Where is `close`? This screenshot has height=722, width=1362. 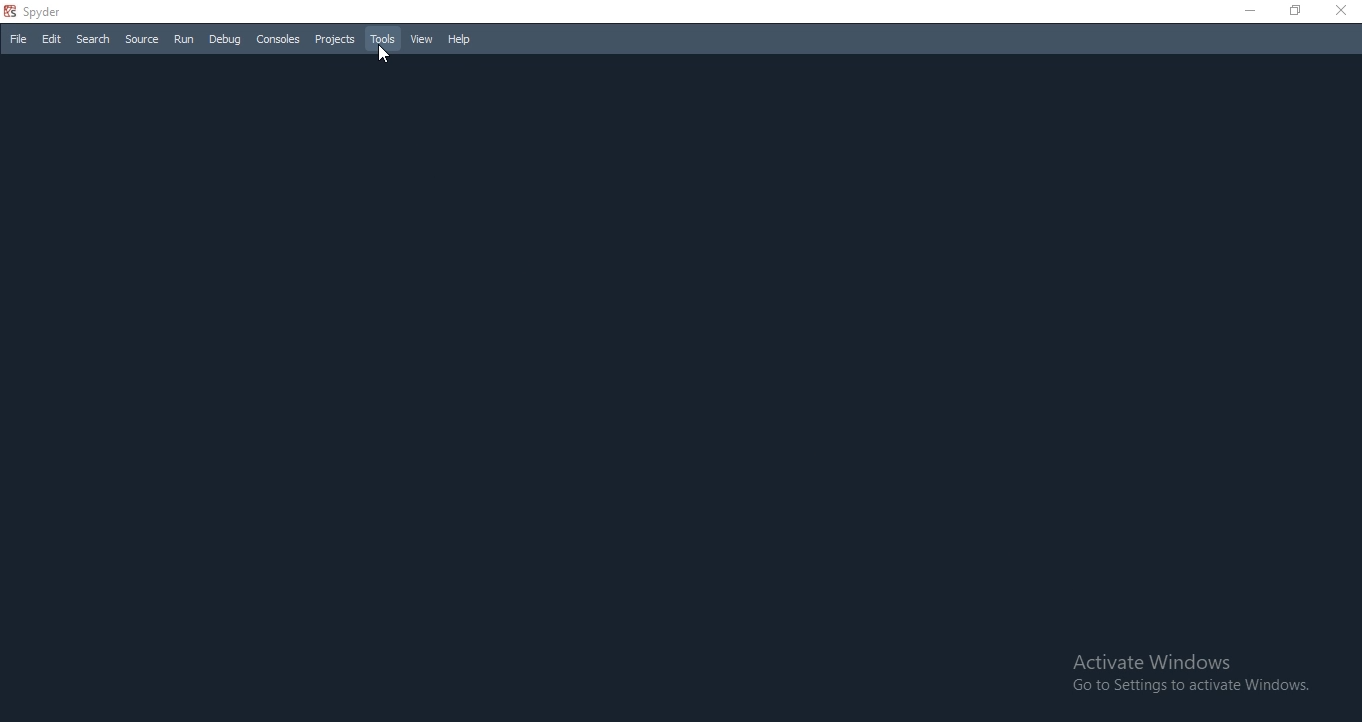 close is located at coordinates (1342, 12).